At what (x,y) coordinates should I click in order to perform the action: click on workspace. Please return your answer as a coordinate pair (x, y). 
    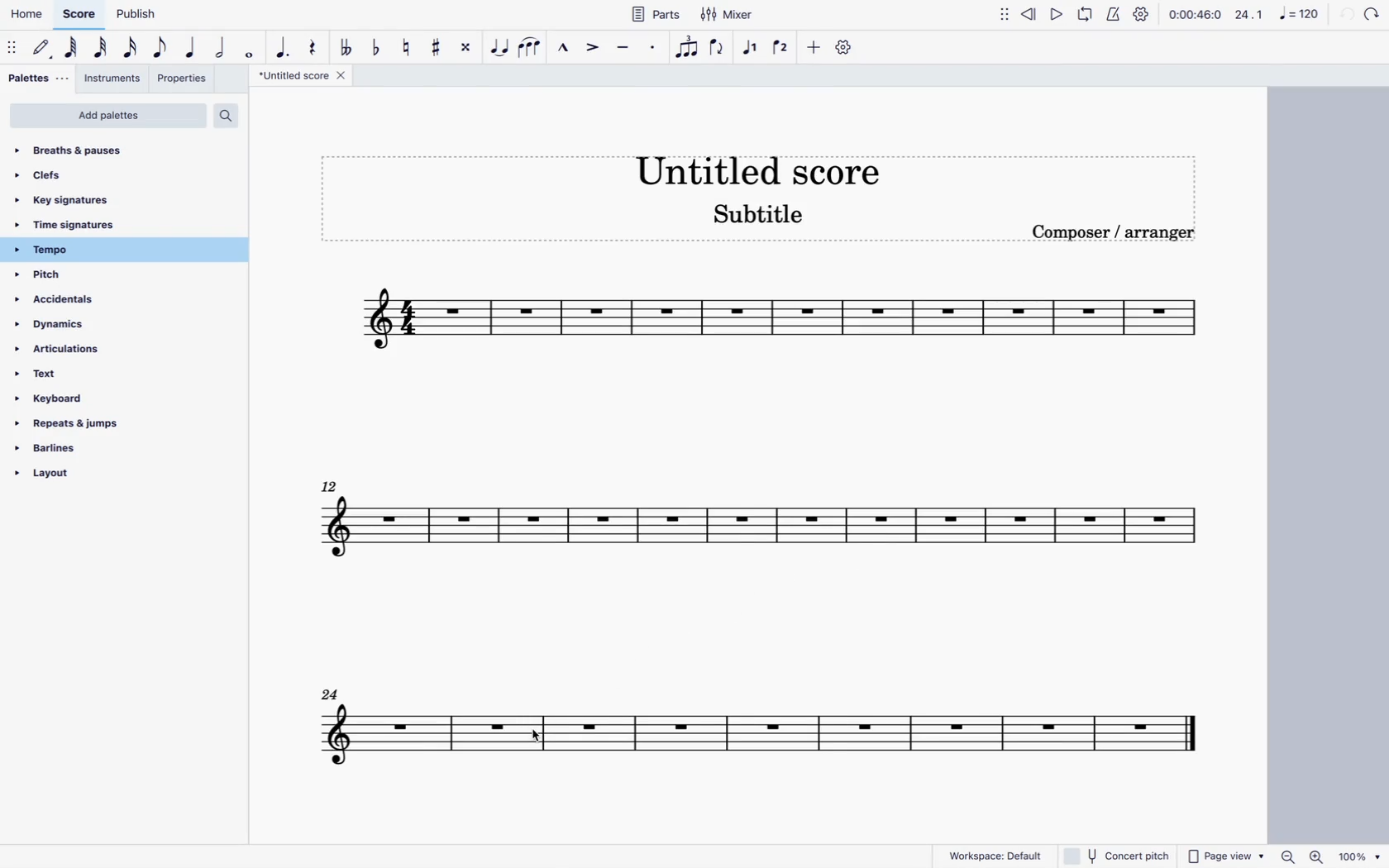
    Looking at the image, I should click on (987, 855).